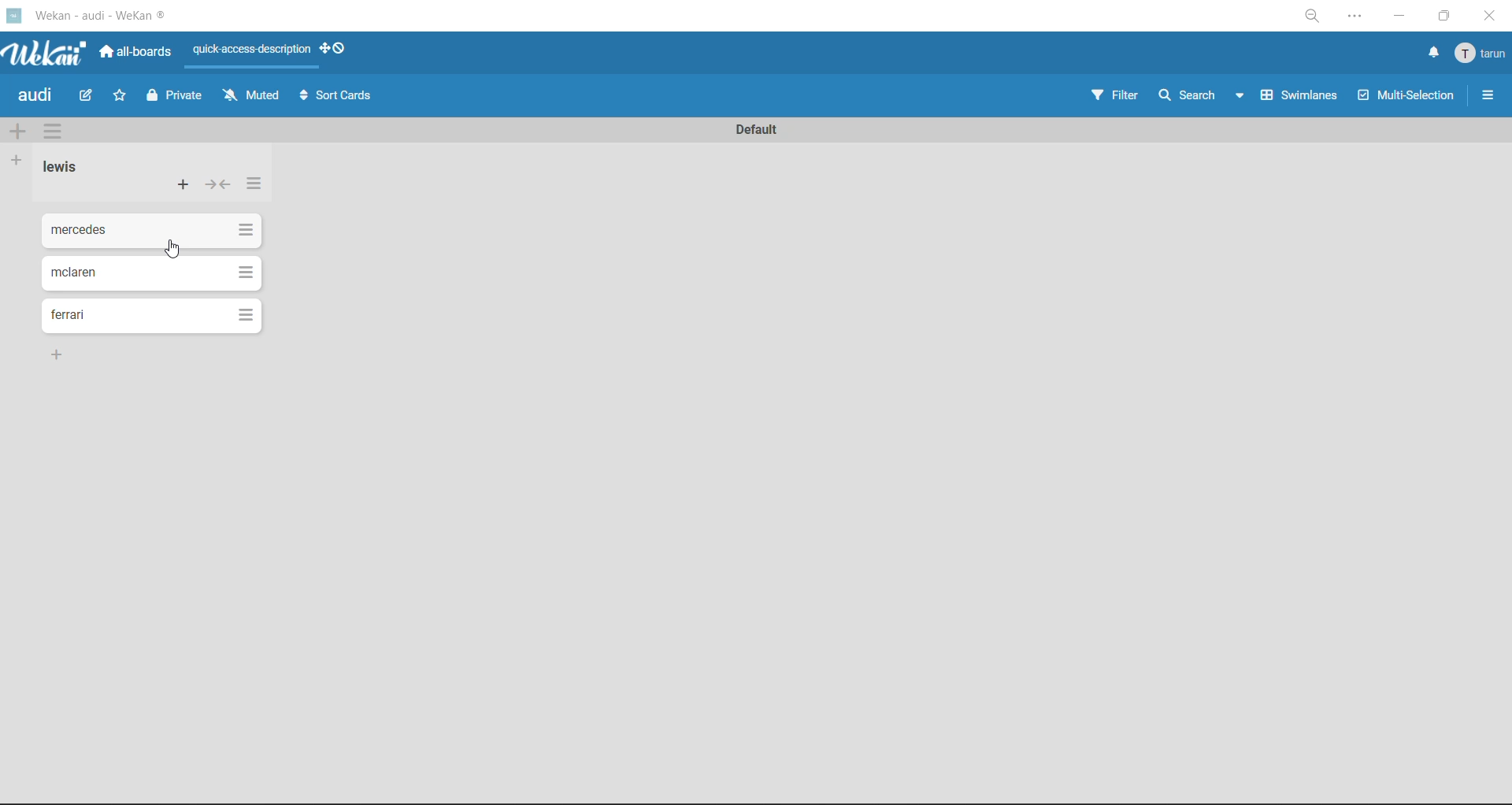 This screenshot has height=805, width=1512. I want to click on cards, so click(154, 228).